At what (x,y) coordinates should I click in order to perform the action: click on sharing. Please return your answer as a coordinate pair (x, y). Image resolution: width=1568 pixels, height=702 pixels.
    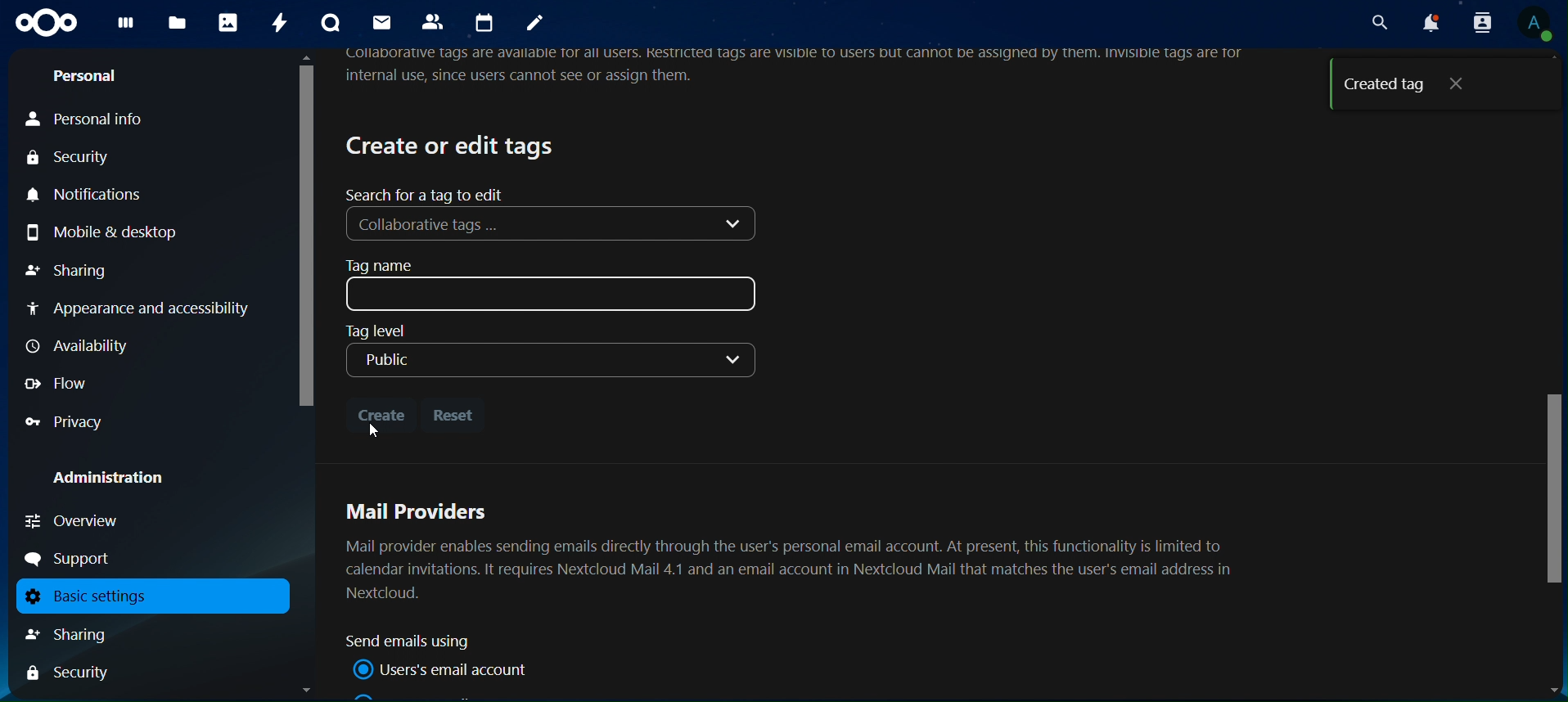
    Looking at the image, I should click on (70, 269).